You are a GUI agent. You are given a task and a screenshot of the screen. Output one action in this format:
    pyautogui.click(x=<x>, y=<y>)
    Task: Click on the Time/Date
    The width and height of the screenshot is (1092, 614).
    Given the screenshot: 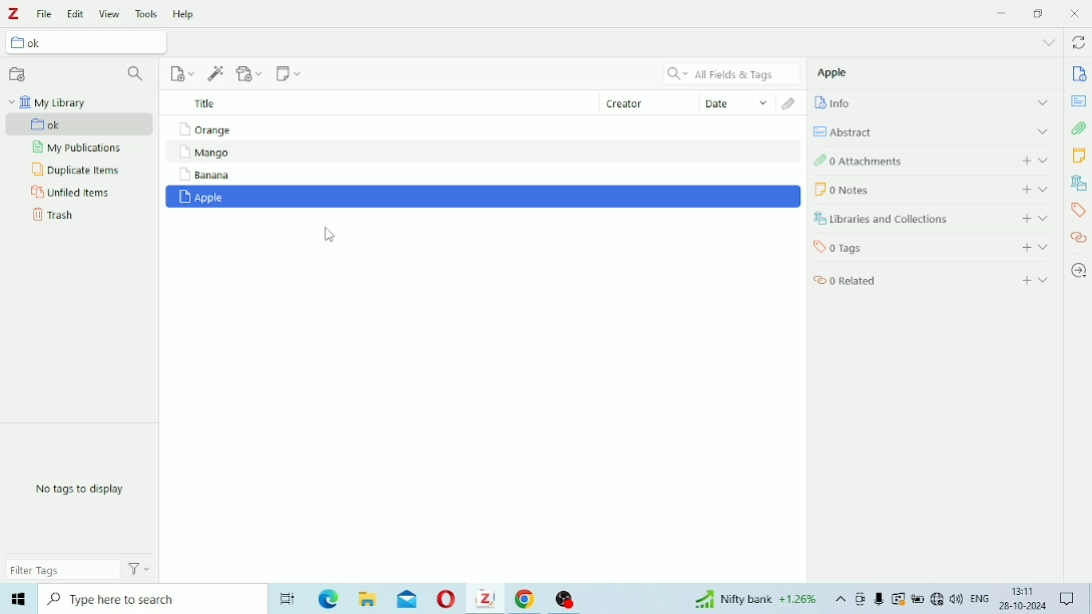 What is the action you would take?
    pyautogui.click(x=1020, y=600)
    